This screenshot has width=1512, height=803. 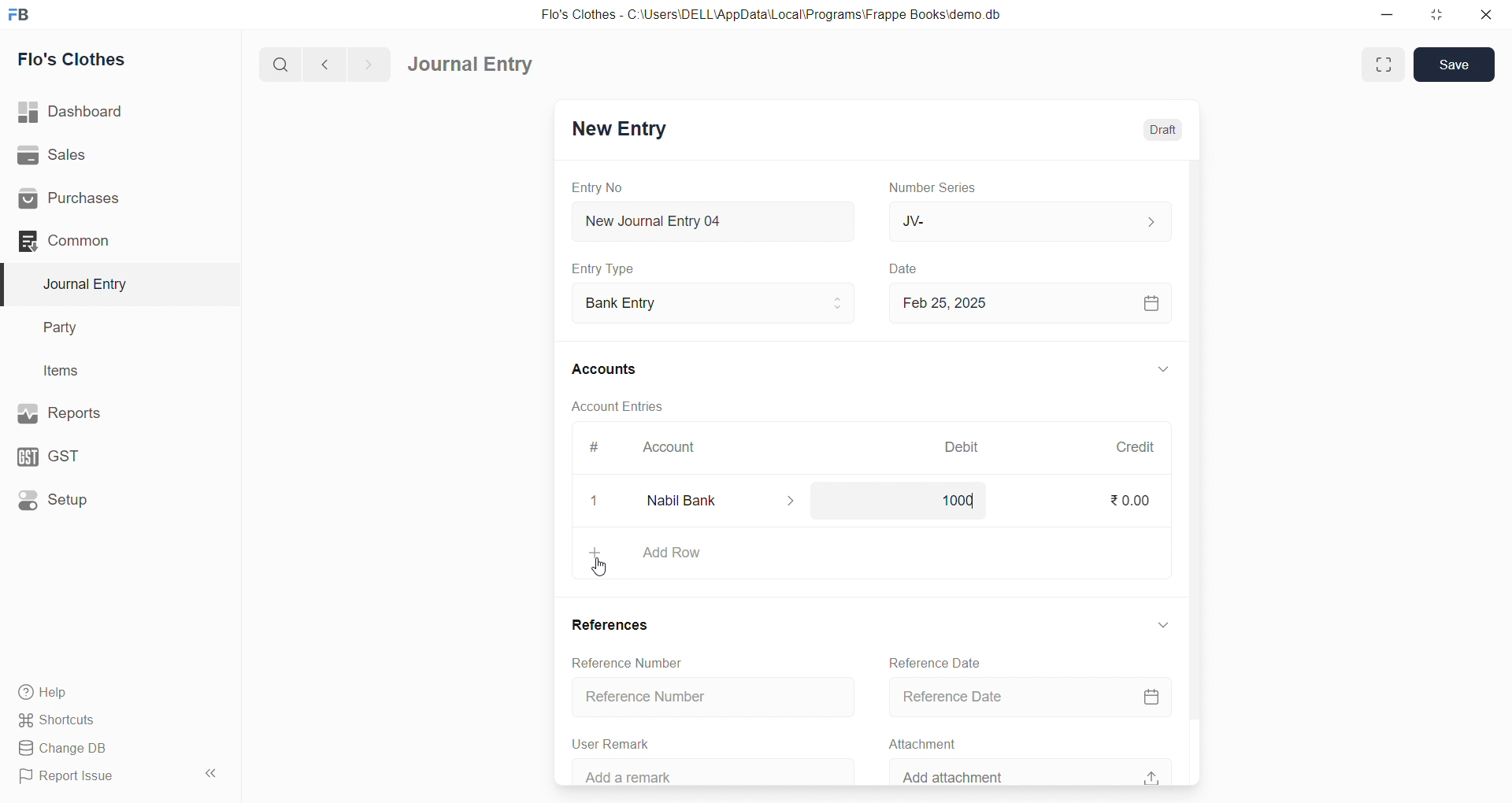 I want to click on Dashboard, so click(x=116, y=112).